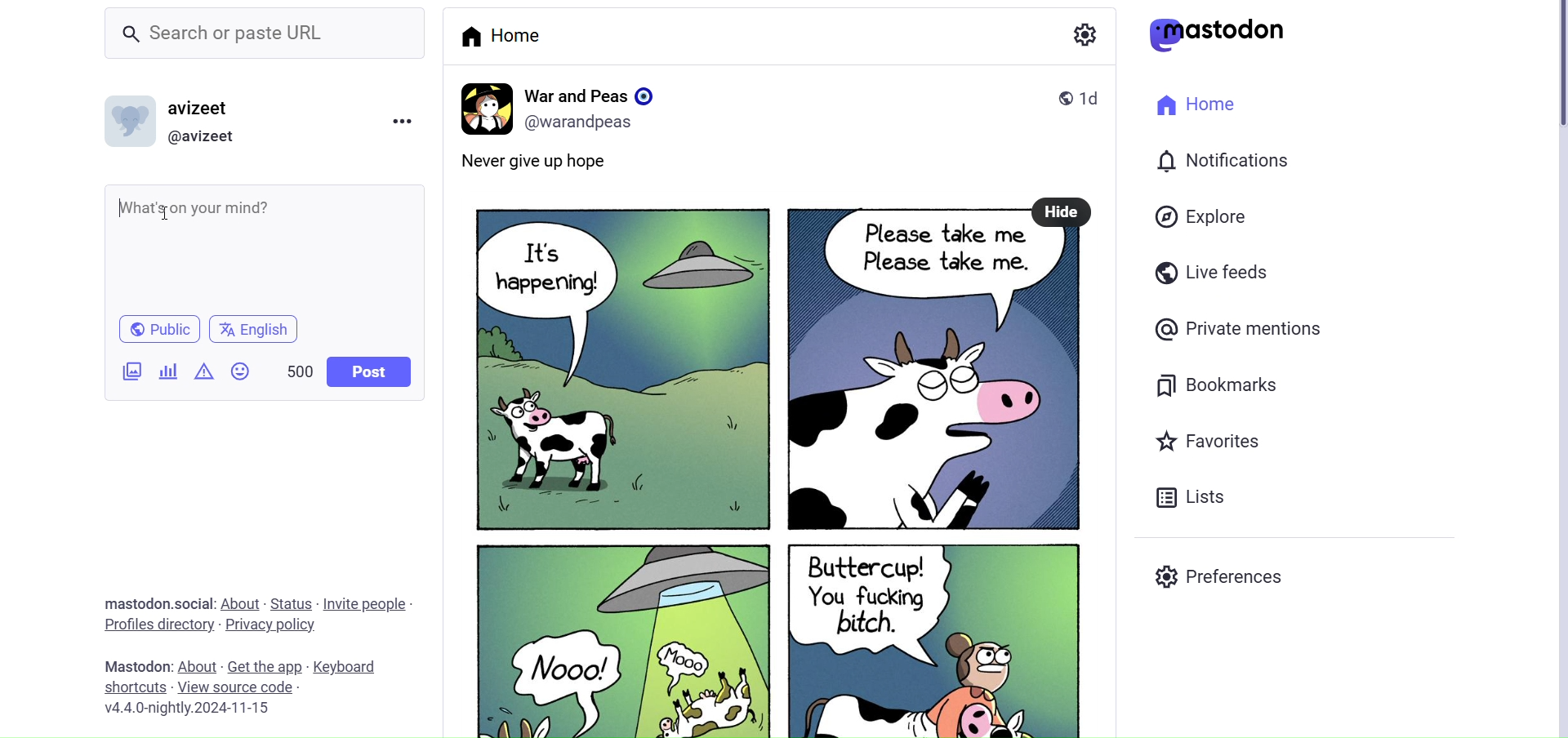 This screenshot has height=738, width=1568. I want to click on What's on your mind, so click(261, 247).